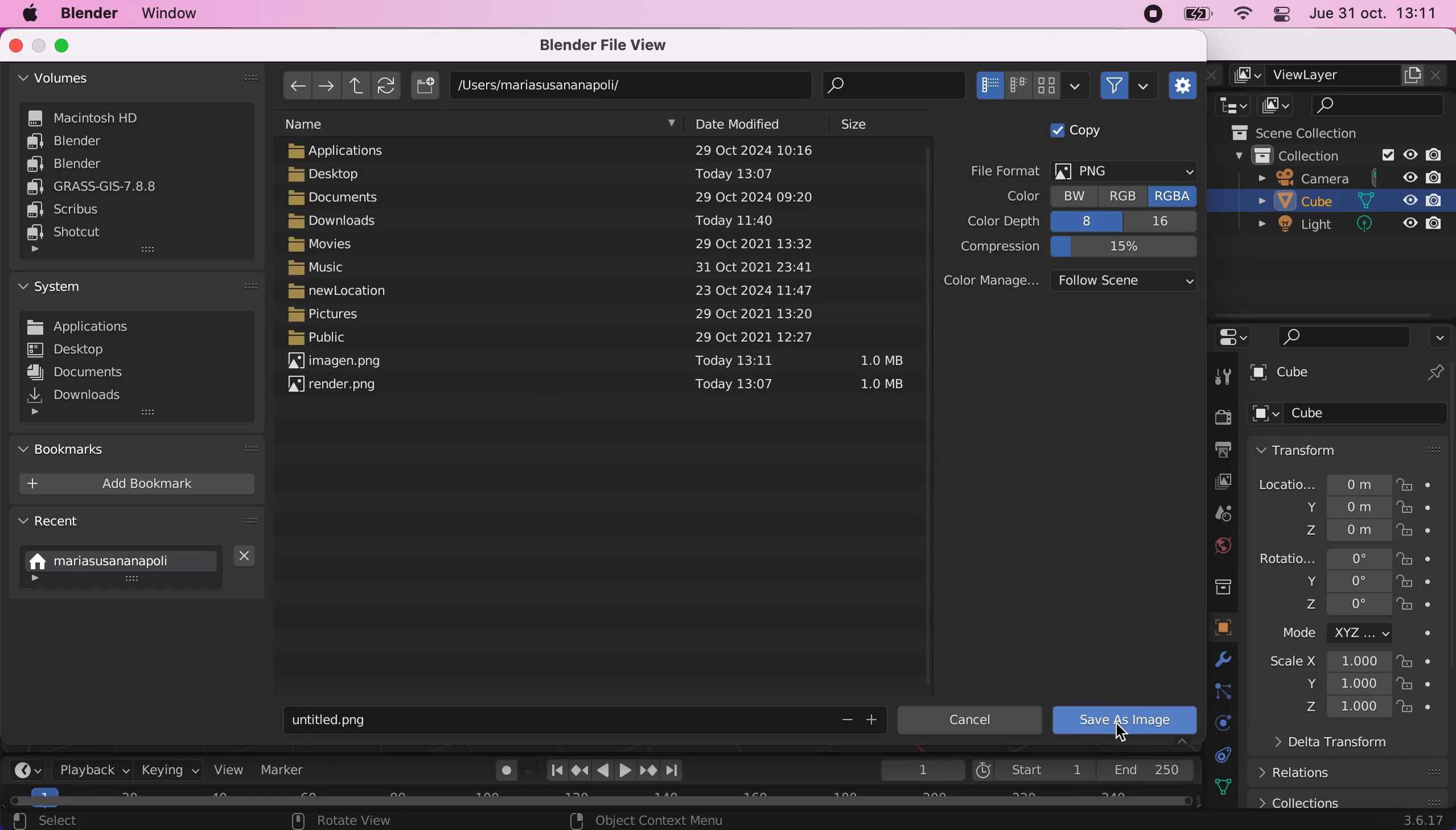  What do you see at coordinates (1229, 338) in the screenshot?
I see `editor type` at bounding box center [1229, 338].